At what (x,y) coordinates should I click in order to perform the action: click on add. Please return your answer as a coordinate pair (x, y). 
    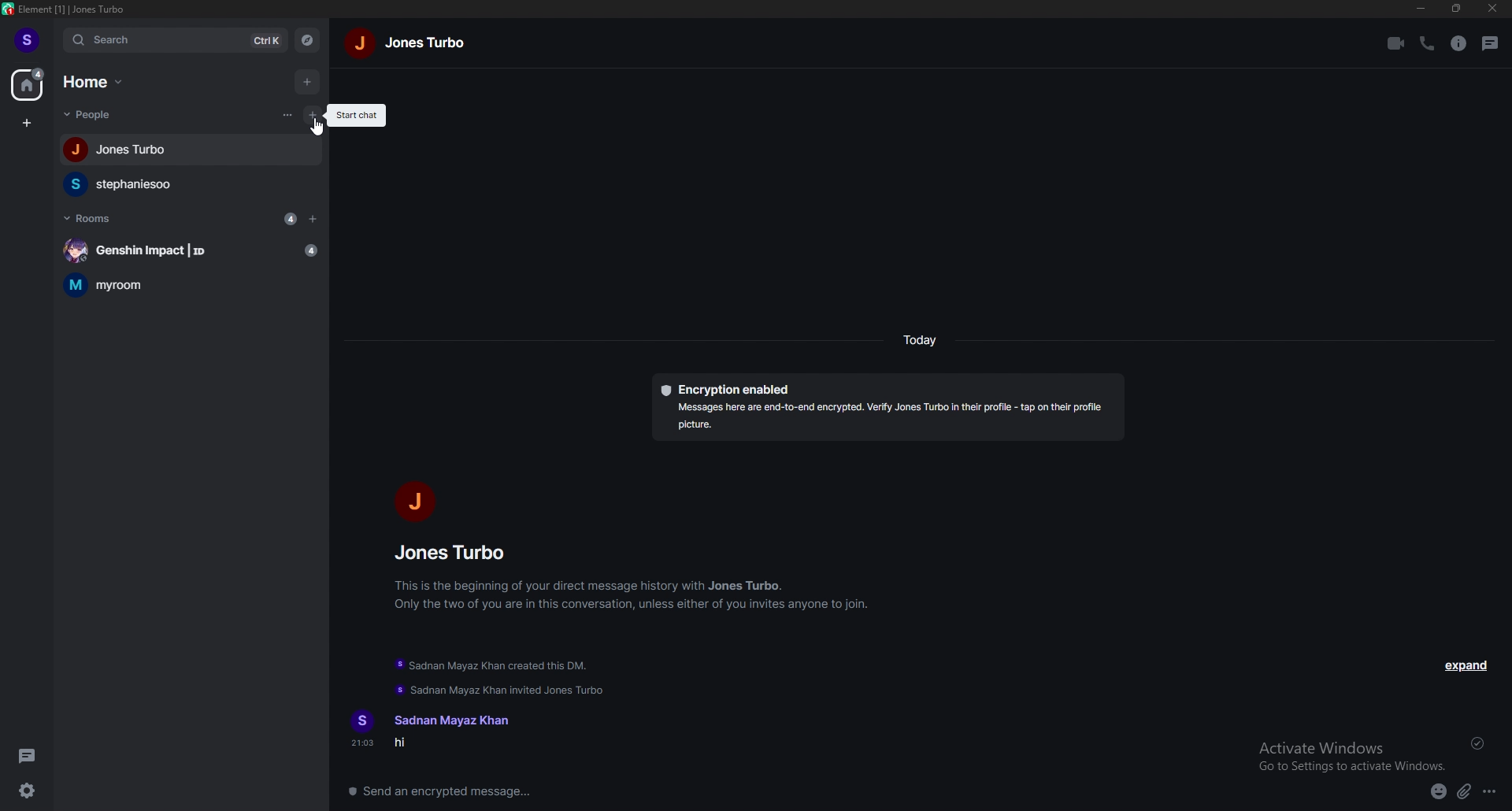
    Looking at the image, I should click on (306, 81).